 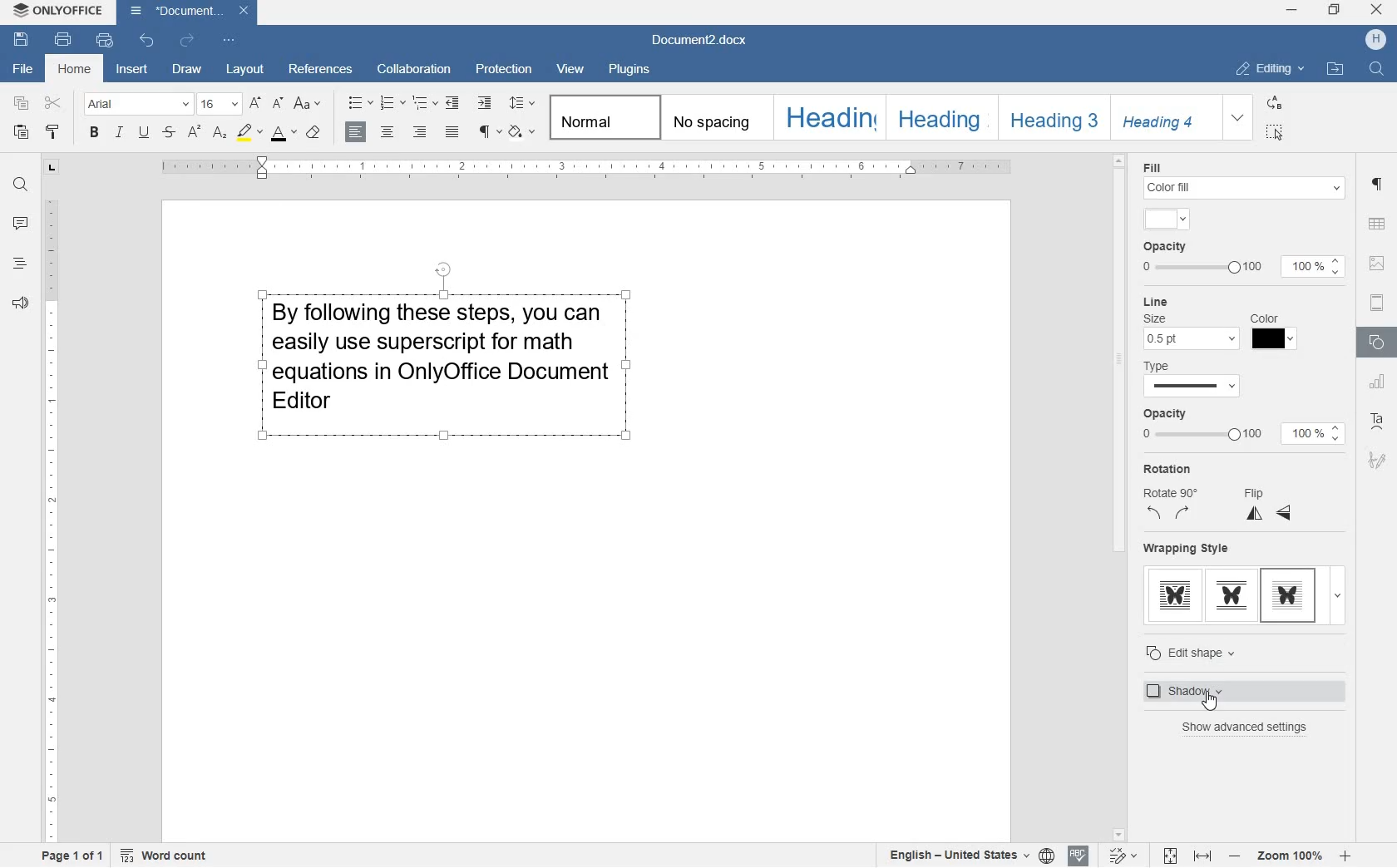 What do you see at coordinates (283, 134) in the screenshot?
I see `font color` at bounding box center [283, 134].